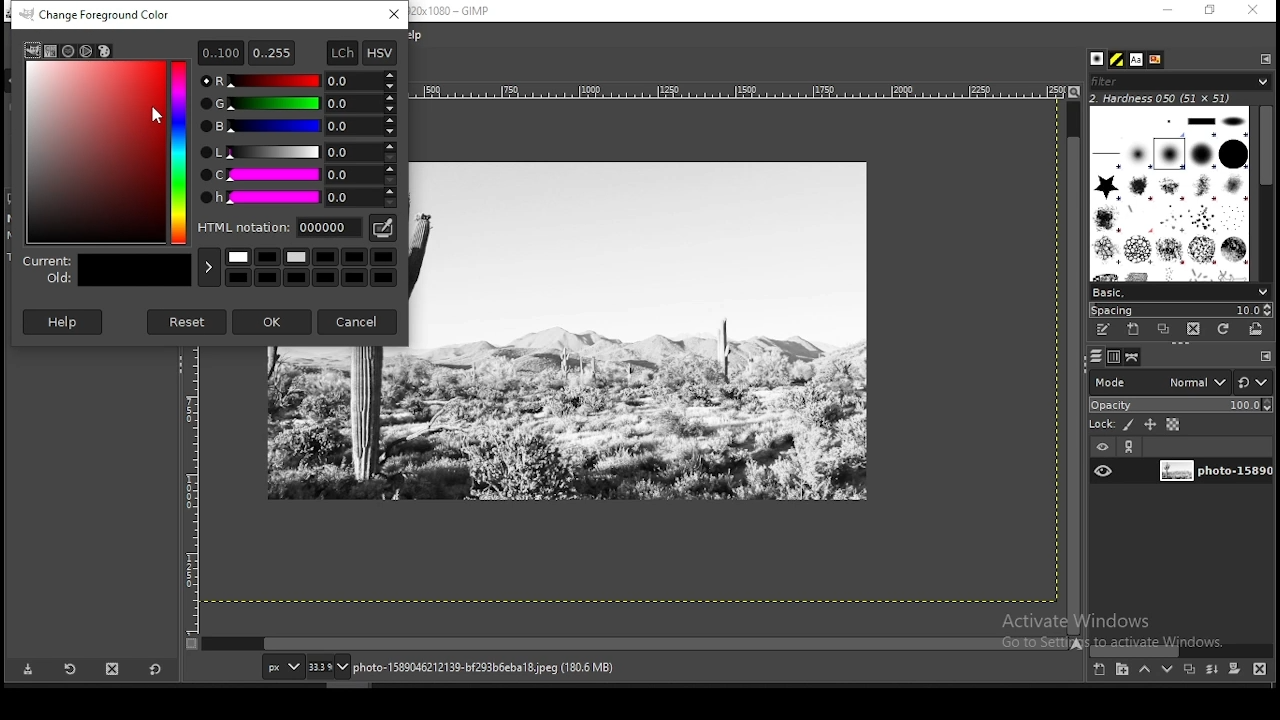 Image resolution: width=1280 pixels, height=720 pixels. What do you see at coordinates (297, 198) in the screenshot?
I see `lch hue` at bounding box center [297, 198].